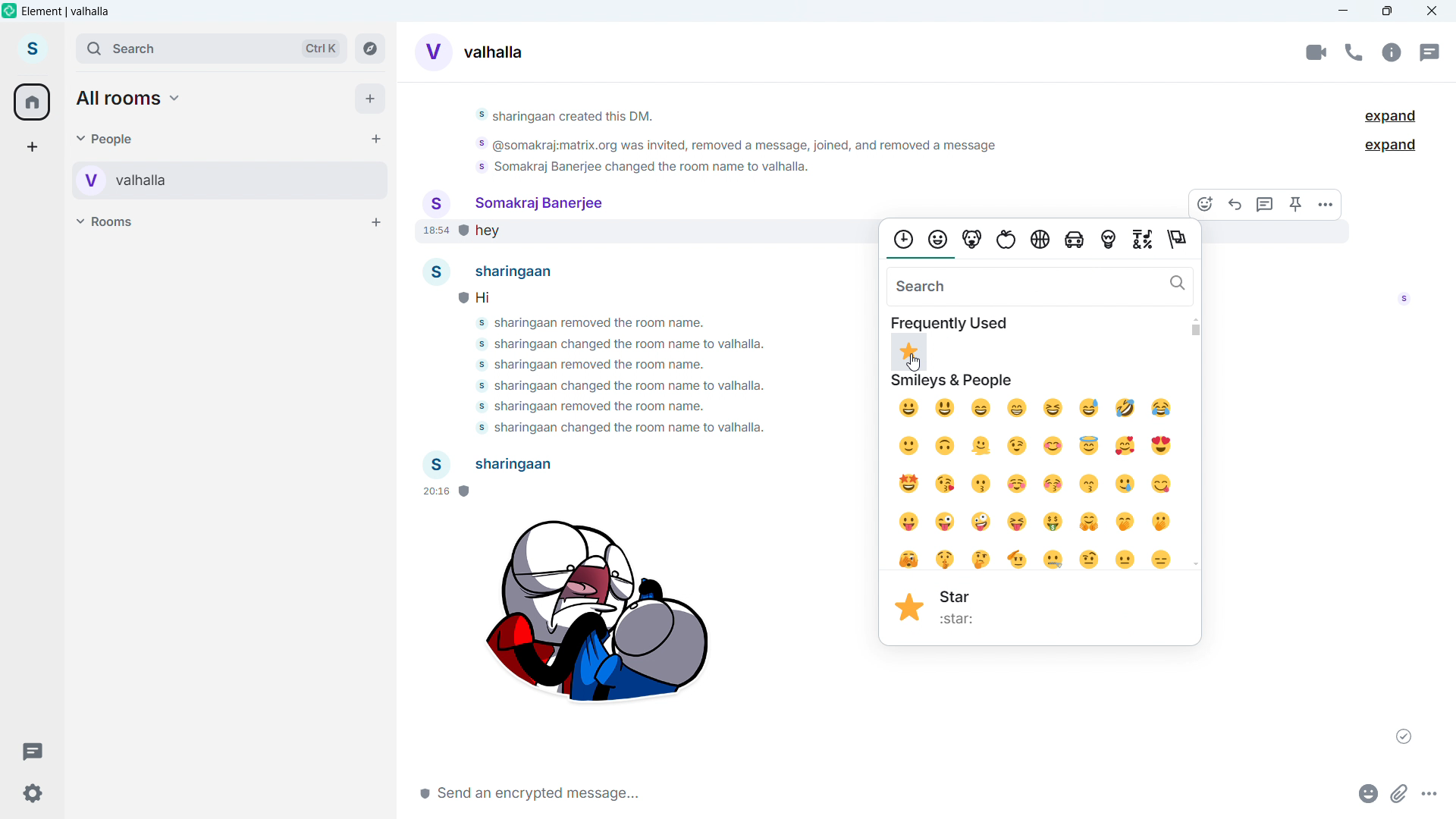  Describe the element at coordinates (501, 296) in the screenshot. I see `hi message from sharingaan` at that location.